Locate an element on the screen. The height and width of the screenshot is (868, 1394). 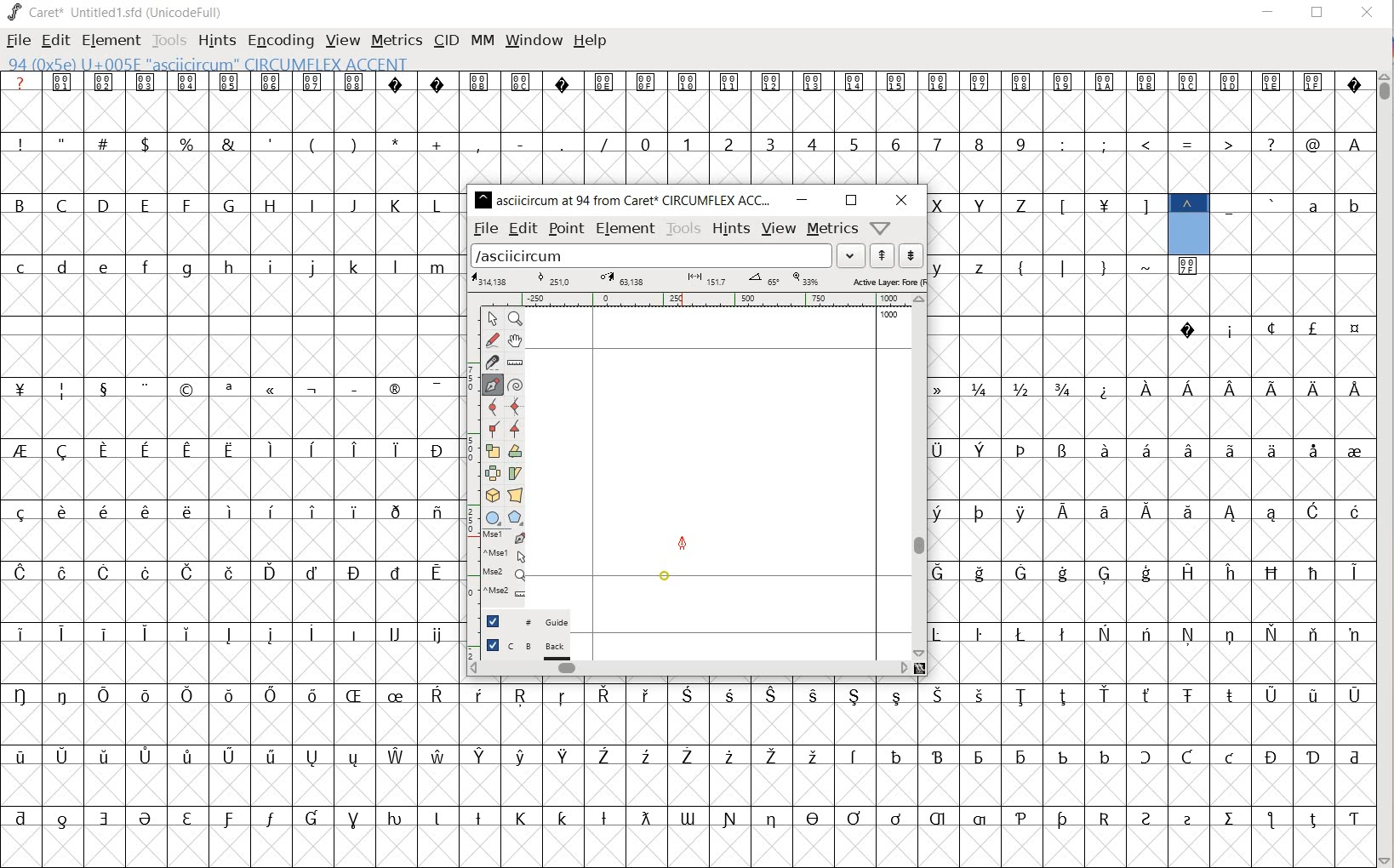
draw a freehand curve is located at coordinates (492, 340).